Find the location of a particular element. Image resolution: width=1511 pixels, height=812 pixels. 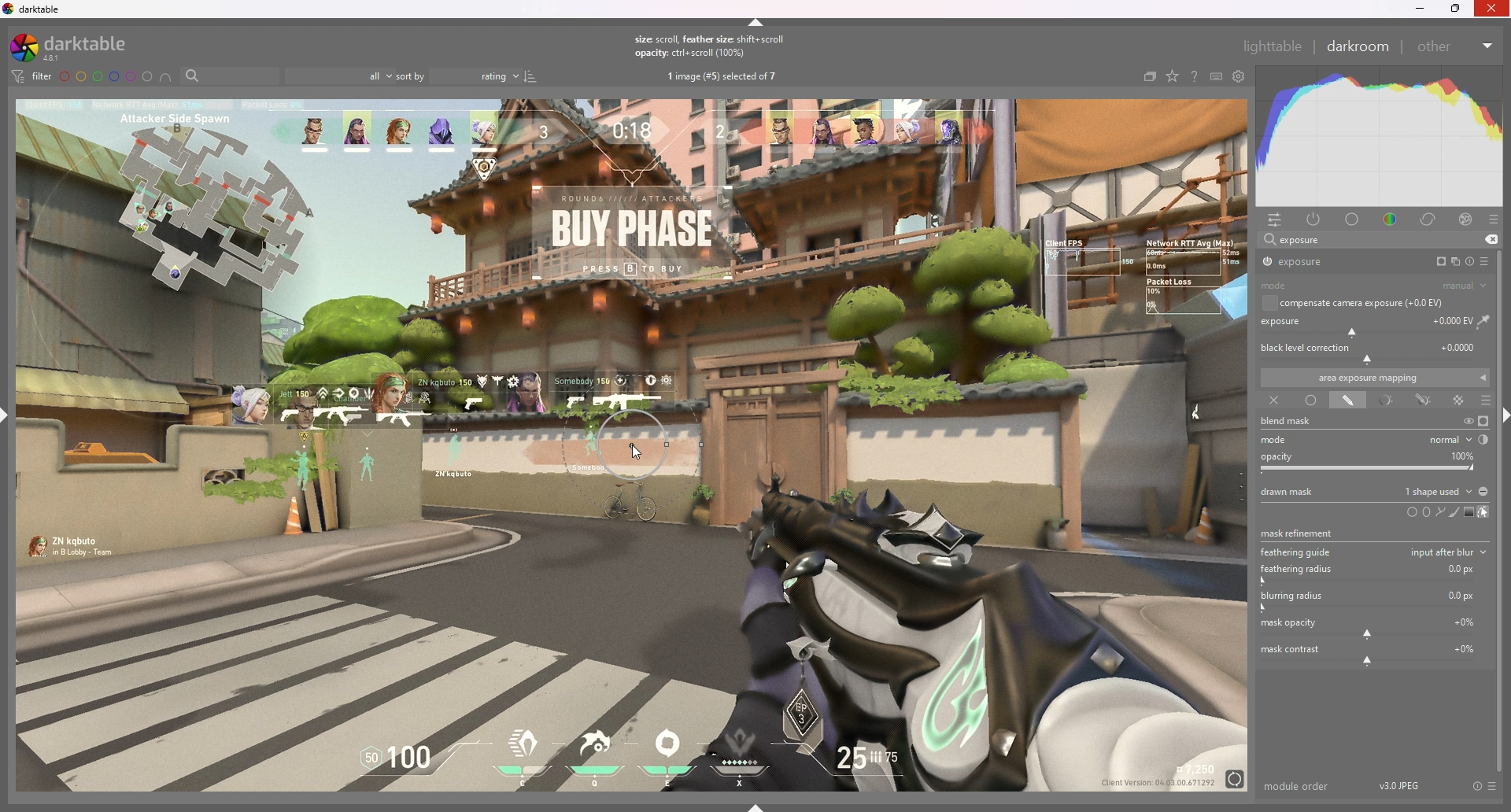

drawn and parametric mask is located at coordinates (1426, 400).